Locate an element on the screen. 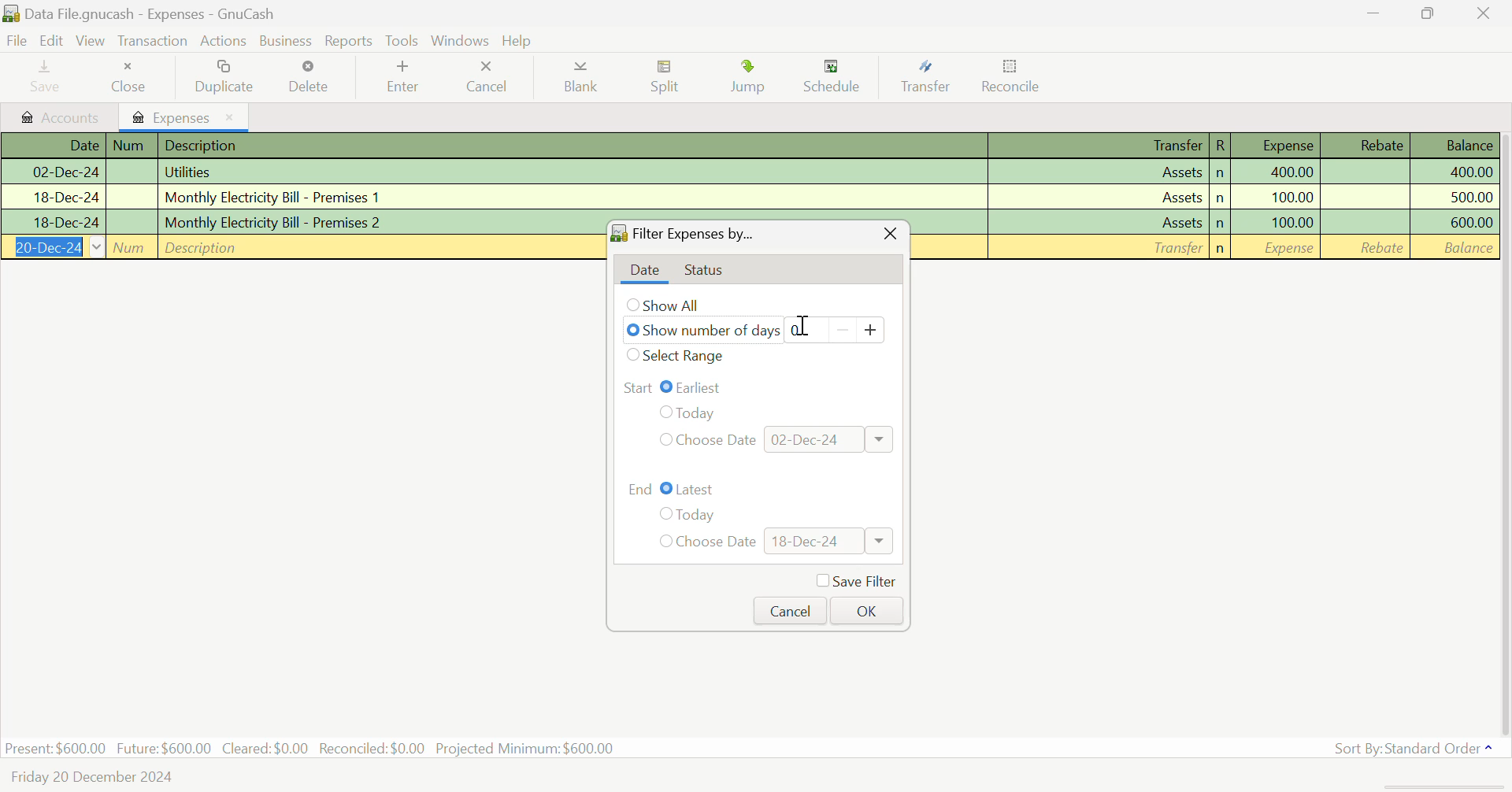 This screenshot has width=1512, height=792. Premises 1 Bill is located at coordinates (573, 198).